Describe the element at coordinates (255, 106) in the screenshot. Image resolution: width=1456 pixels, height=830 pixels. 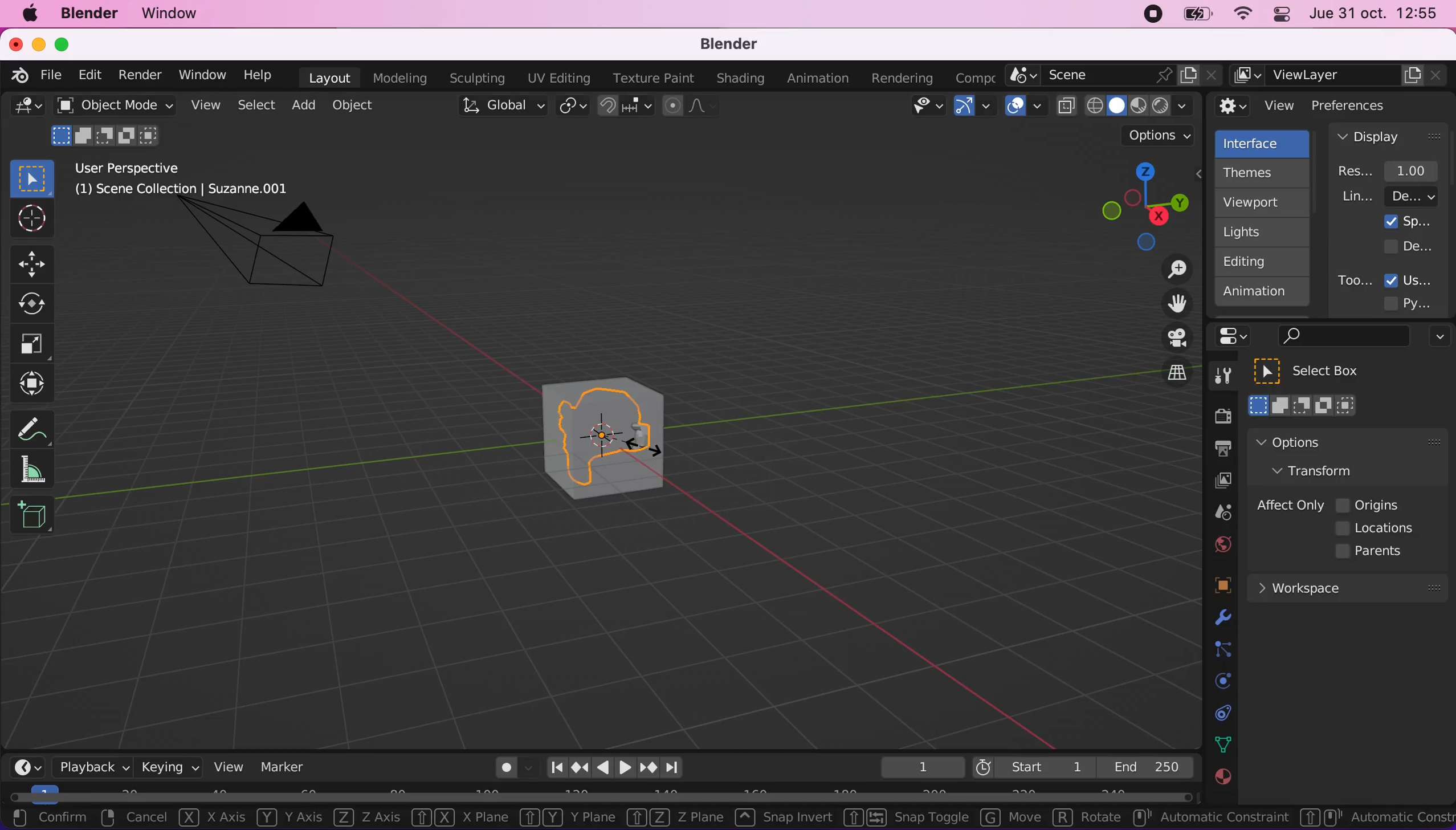
I see `select` at that location.